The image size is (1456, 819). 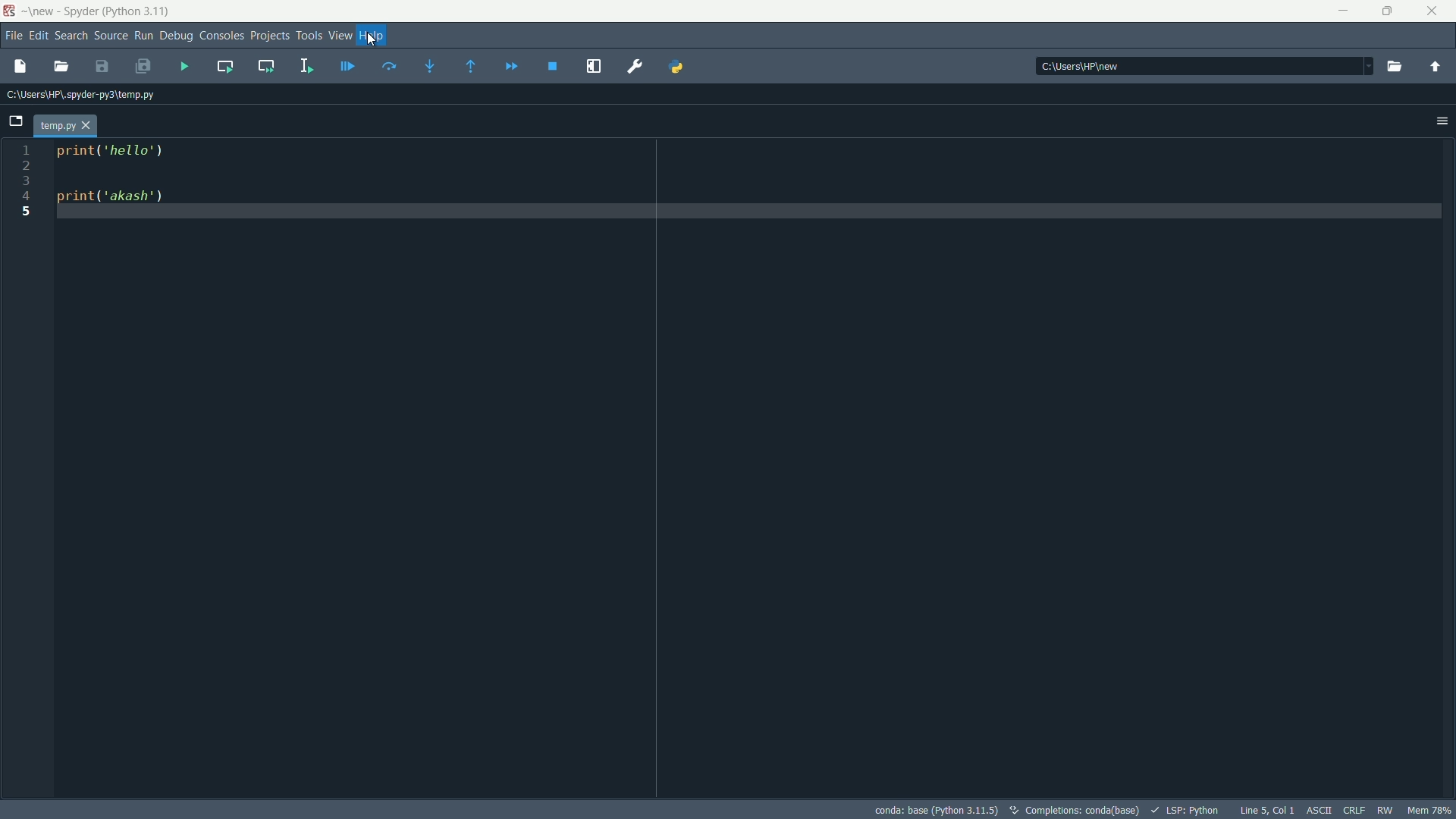 I want to click on open file, so click(x=61, y=65).